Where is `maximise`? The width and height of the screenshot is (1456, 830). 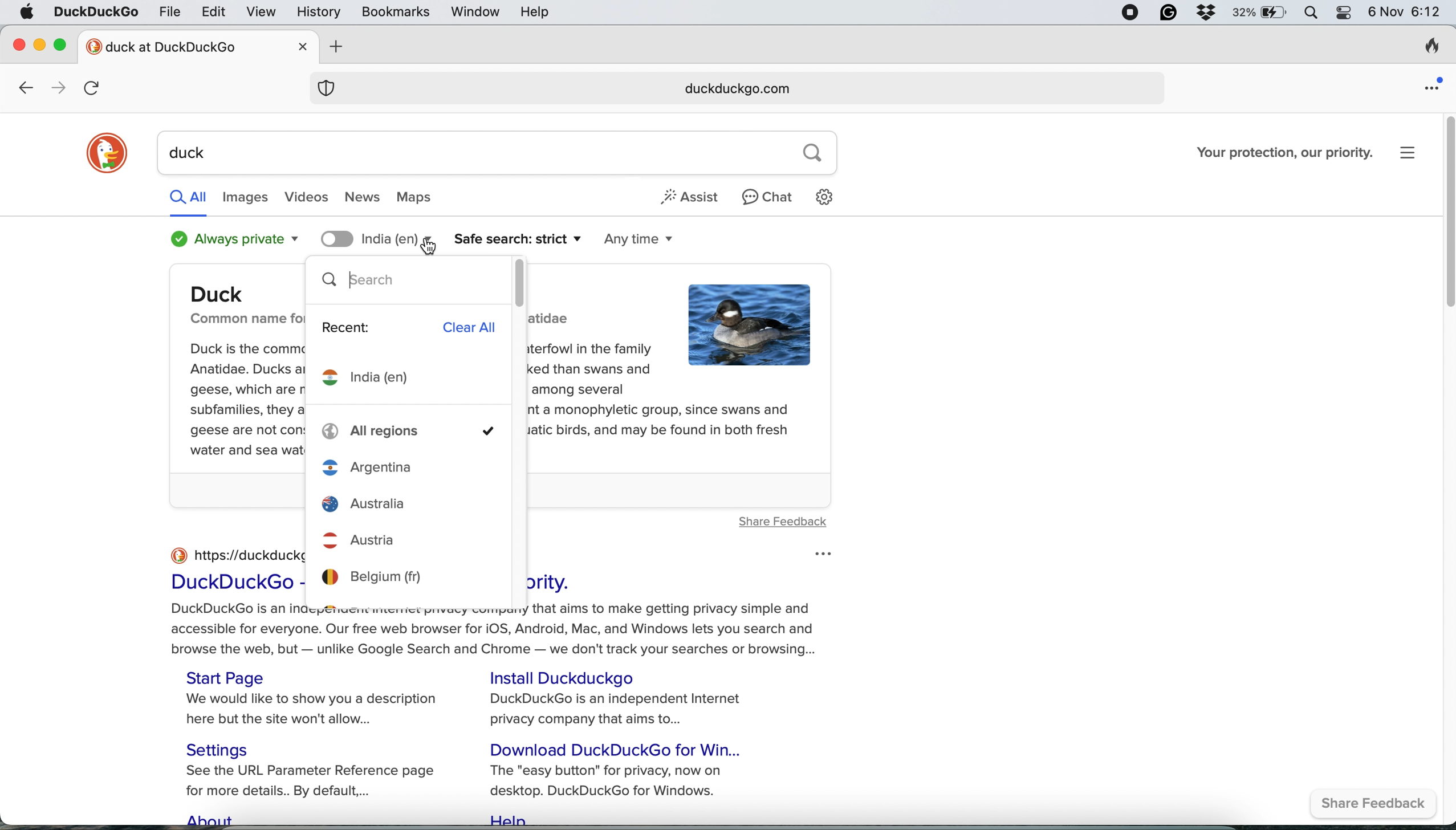 maximise is located at coordinates (66, 44).